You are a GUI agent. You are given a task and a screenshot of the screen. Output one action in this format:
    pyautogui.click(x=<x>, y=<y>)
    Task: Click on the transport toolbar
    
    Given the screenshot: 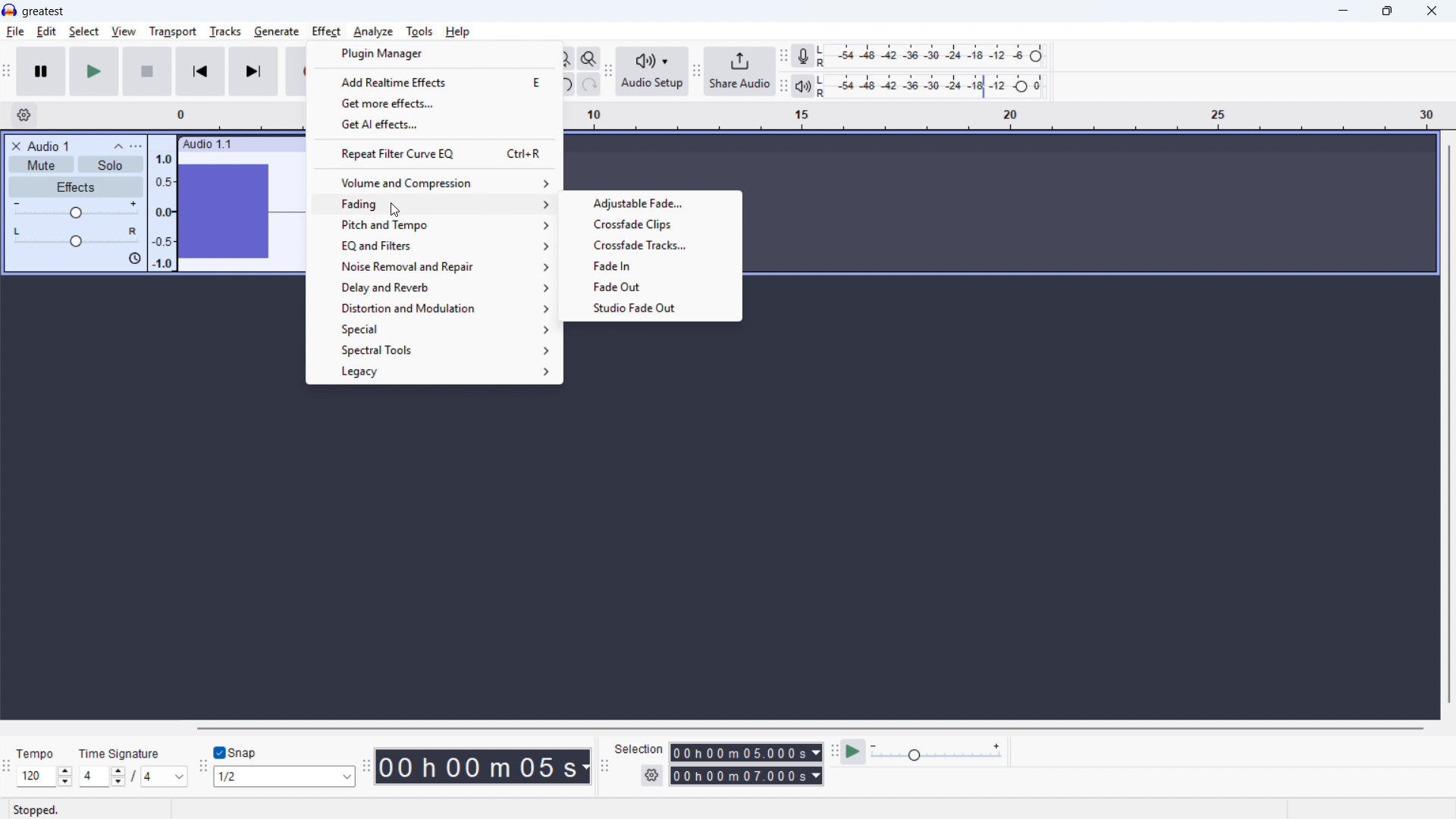 What is the action you would take?
    pyautogui.click(x=7, y=73)
    